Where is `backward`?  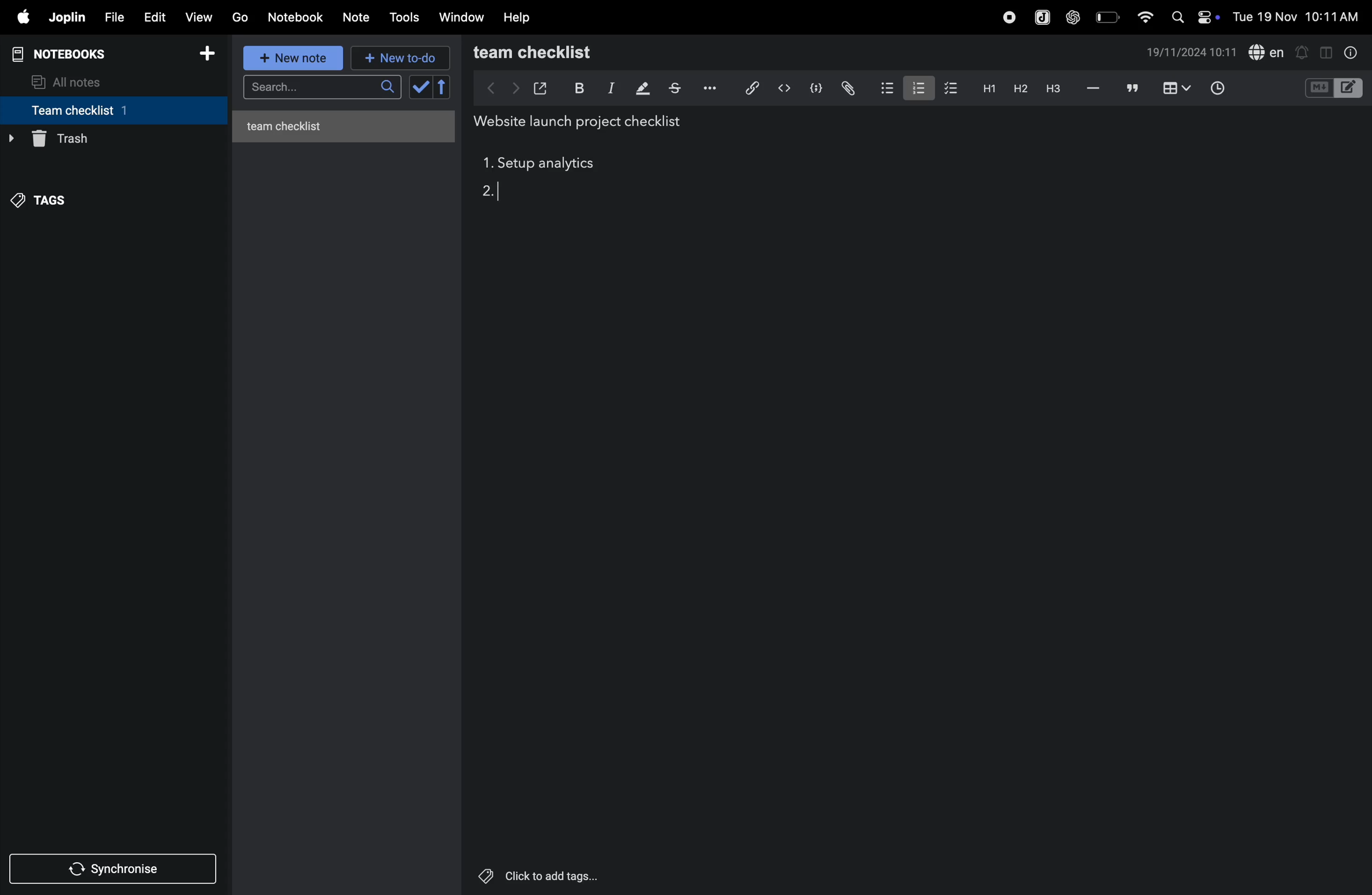
backward is located at coordinates (485, 88).